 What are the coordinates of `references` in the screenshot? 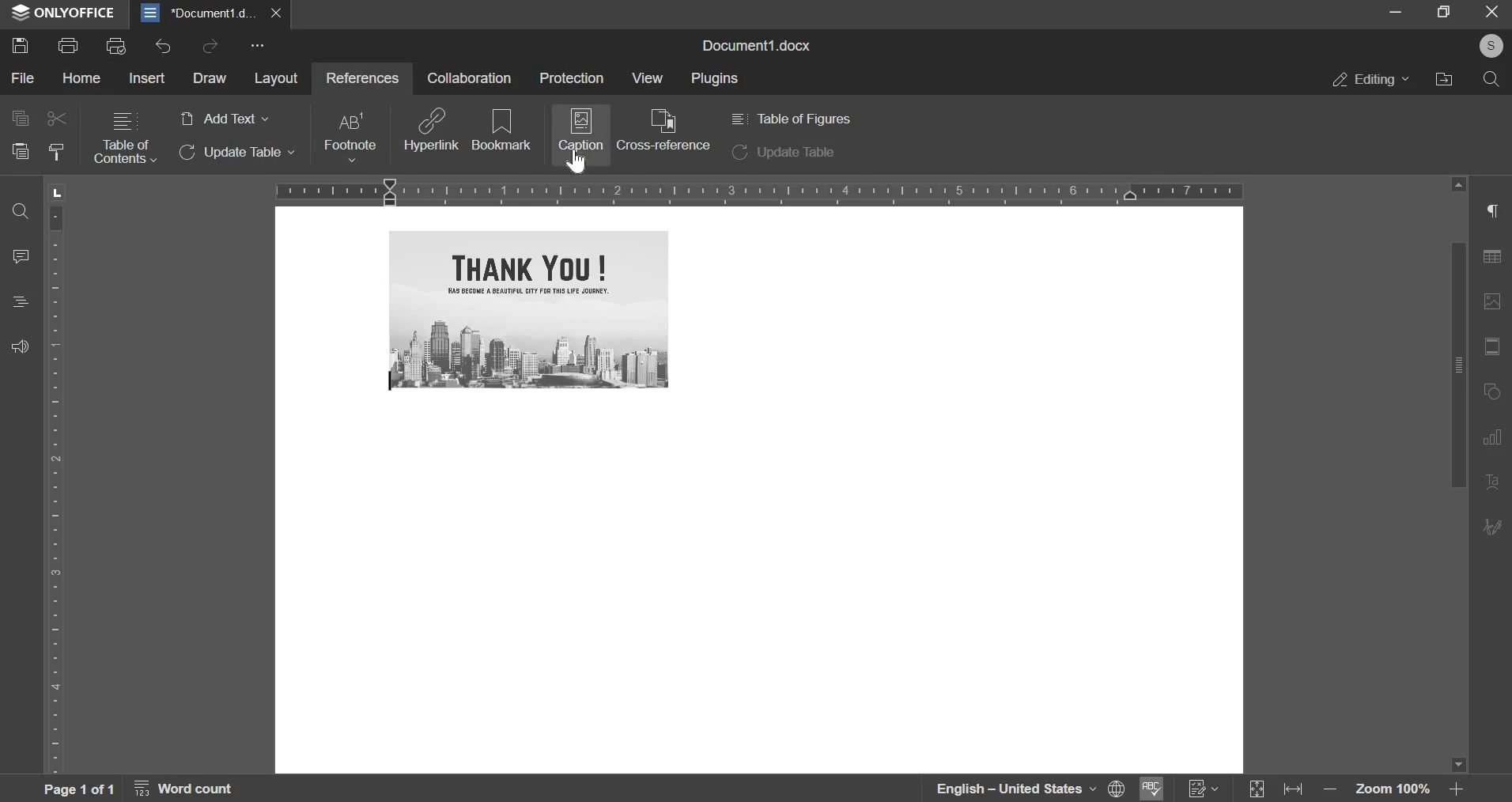 It's located at (360, 77).